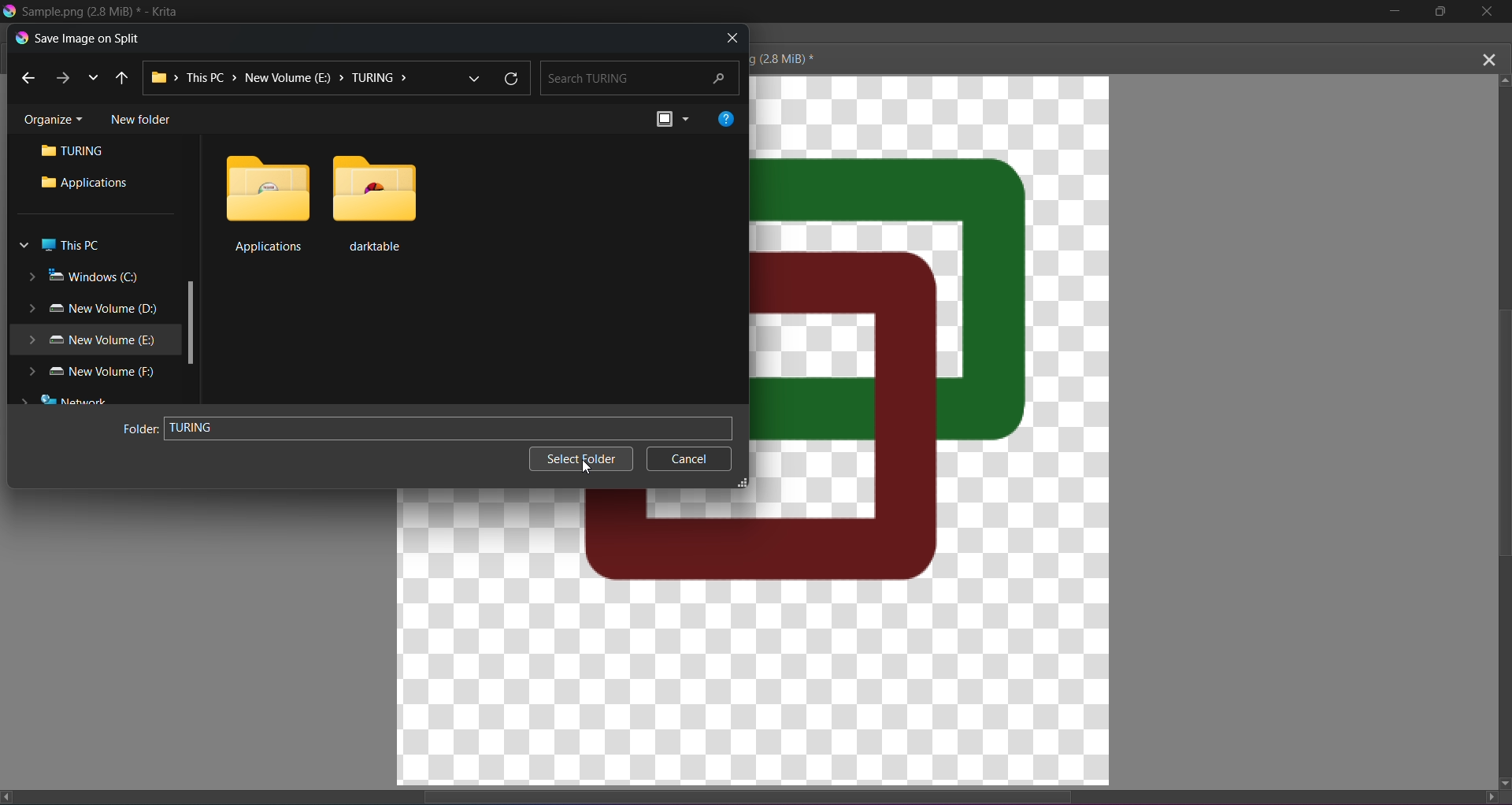 This screenshot has height=805, width=1512. What do you see at coordinates (122, 76) in the screenshot?
I see `Back` at bounding box center [122, 76].